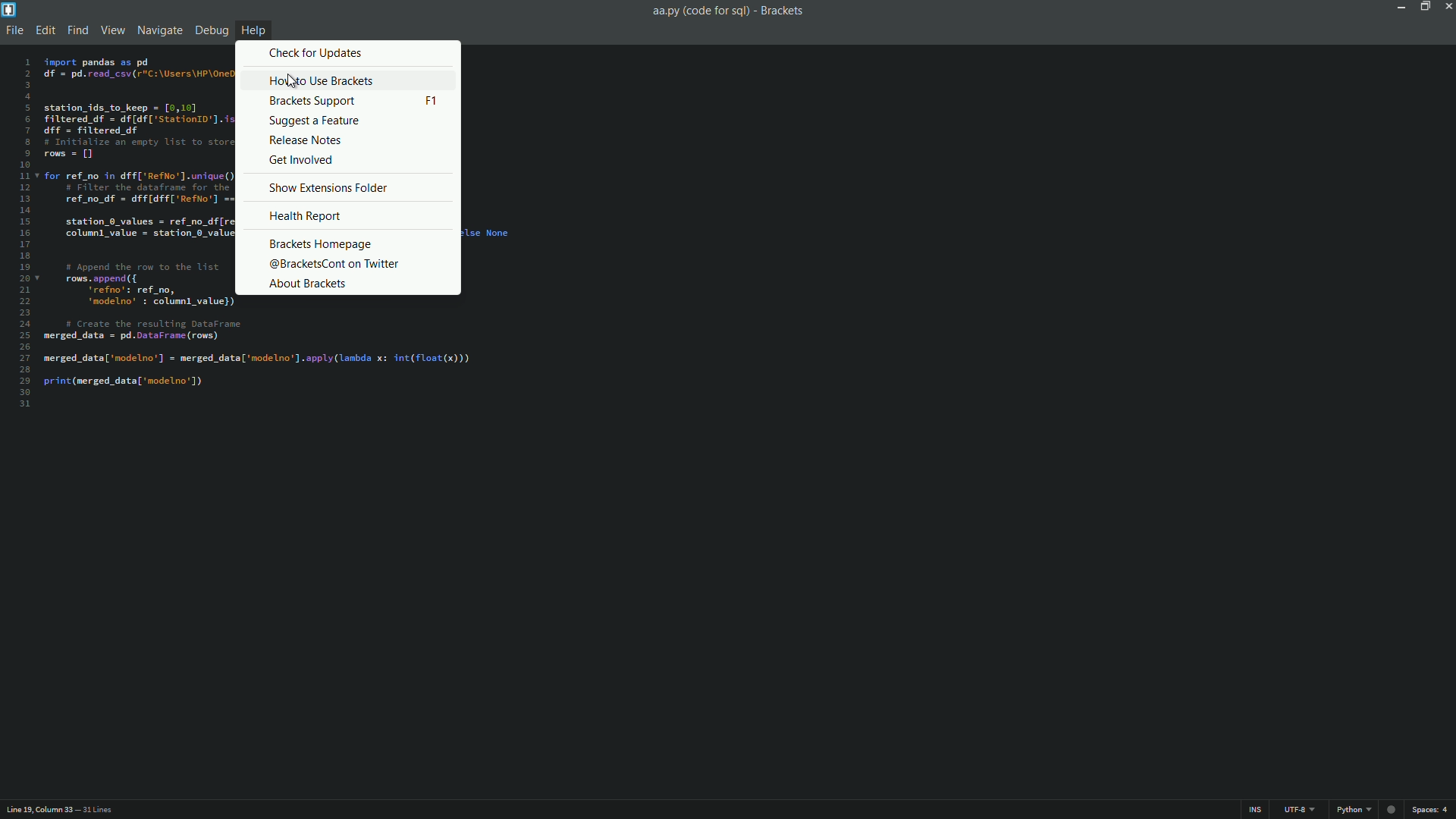  I want to click on get involved, so click(315, 160).